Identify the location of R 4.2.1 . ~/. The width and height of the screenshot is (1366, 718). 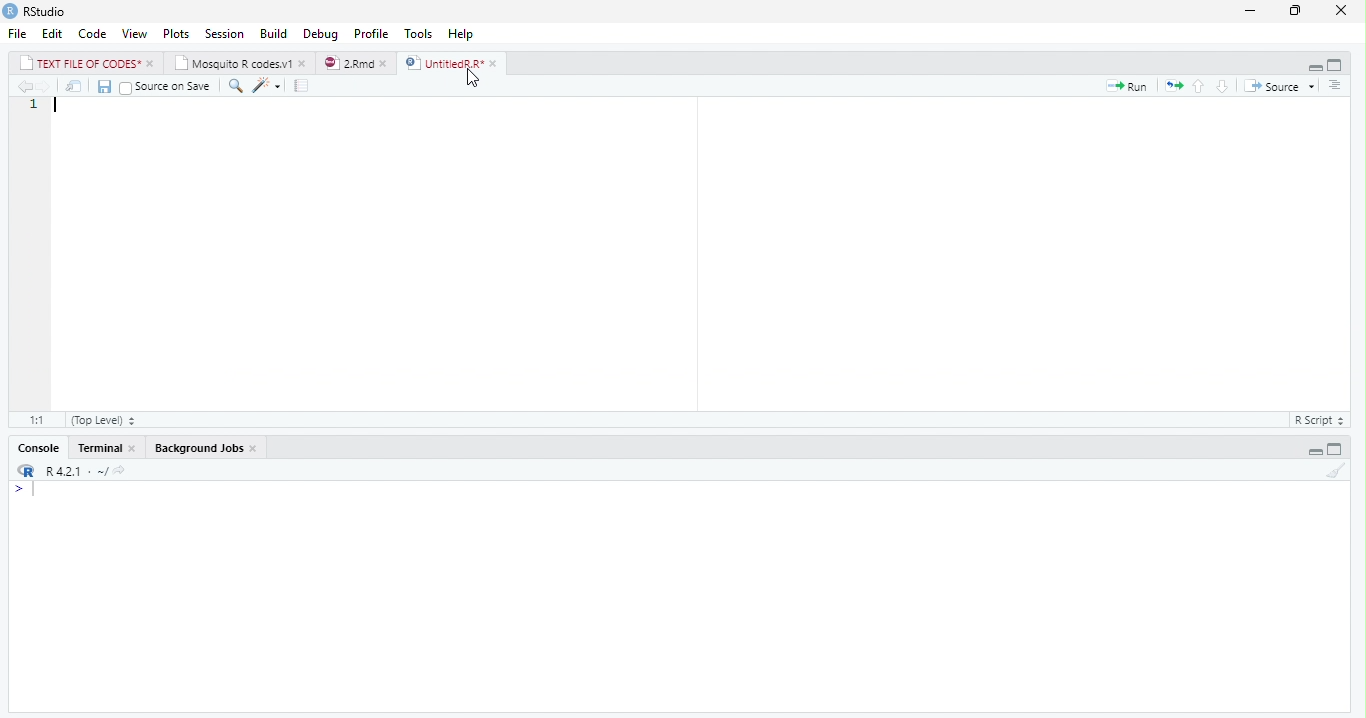
(86, 472).